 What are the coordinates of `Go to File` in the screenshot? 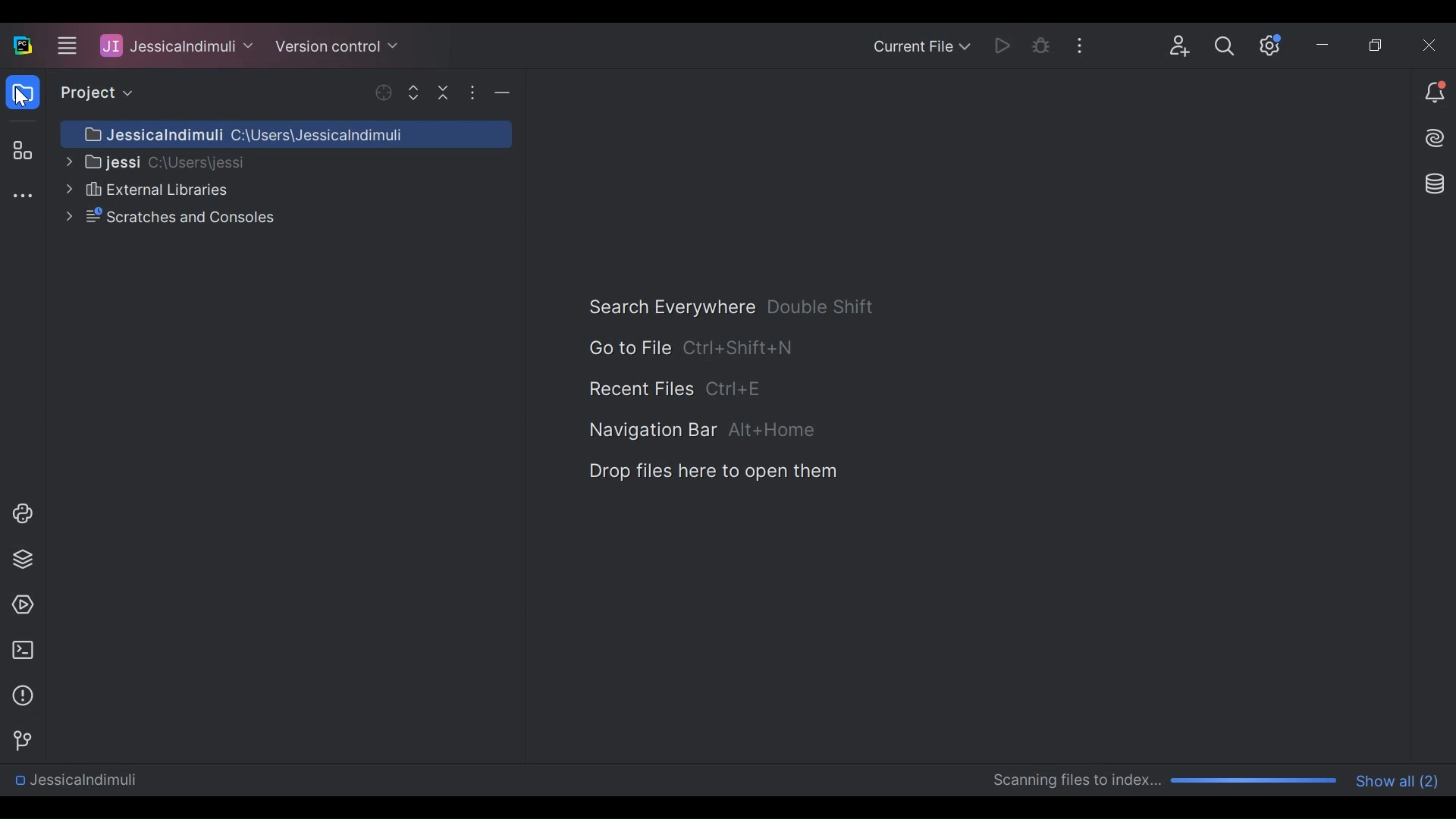 It's located at (690, 349).